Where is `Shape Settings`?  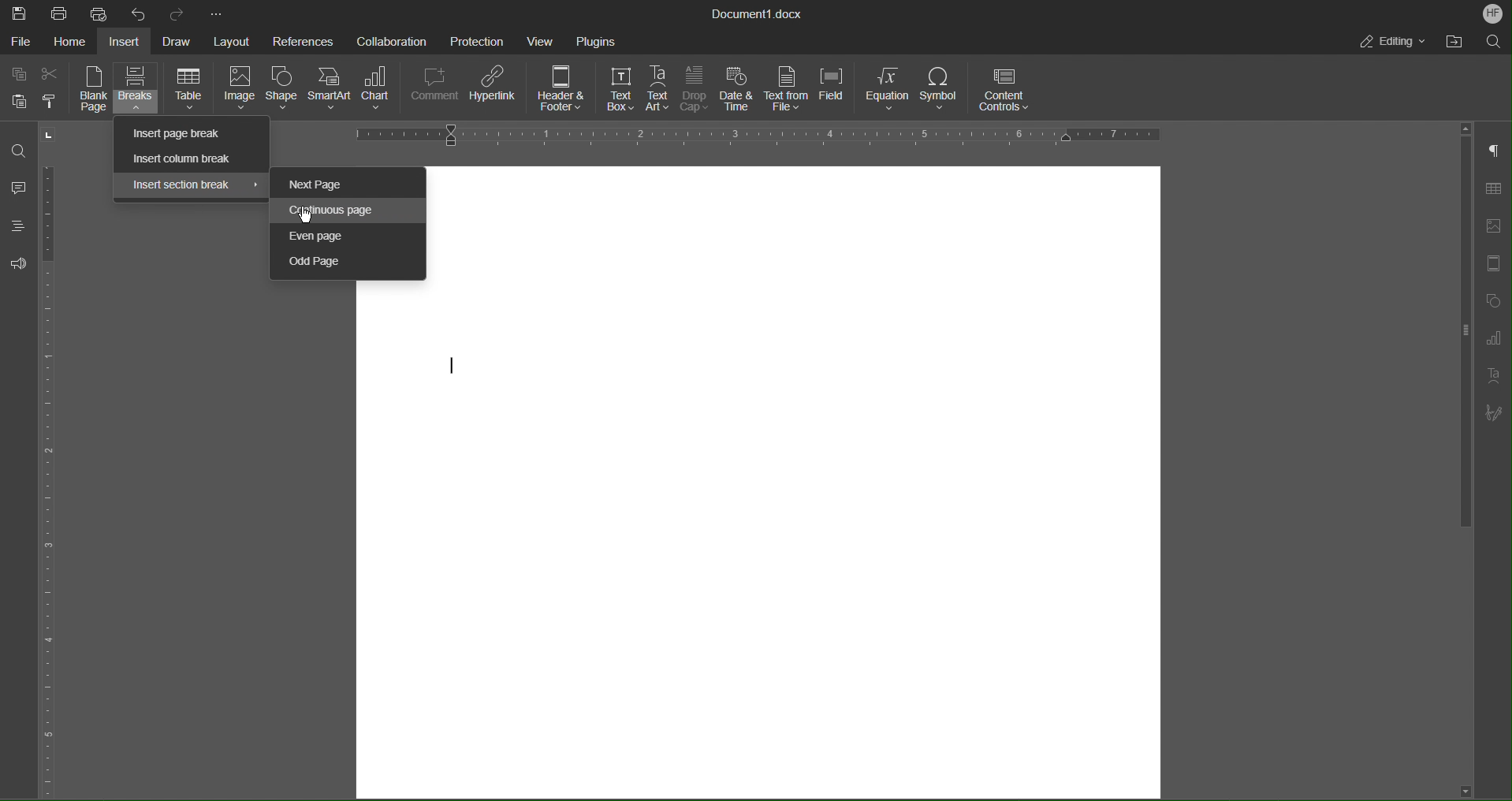 Shape Settings is located at coordinates (1493, 302).